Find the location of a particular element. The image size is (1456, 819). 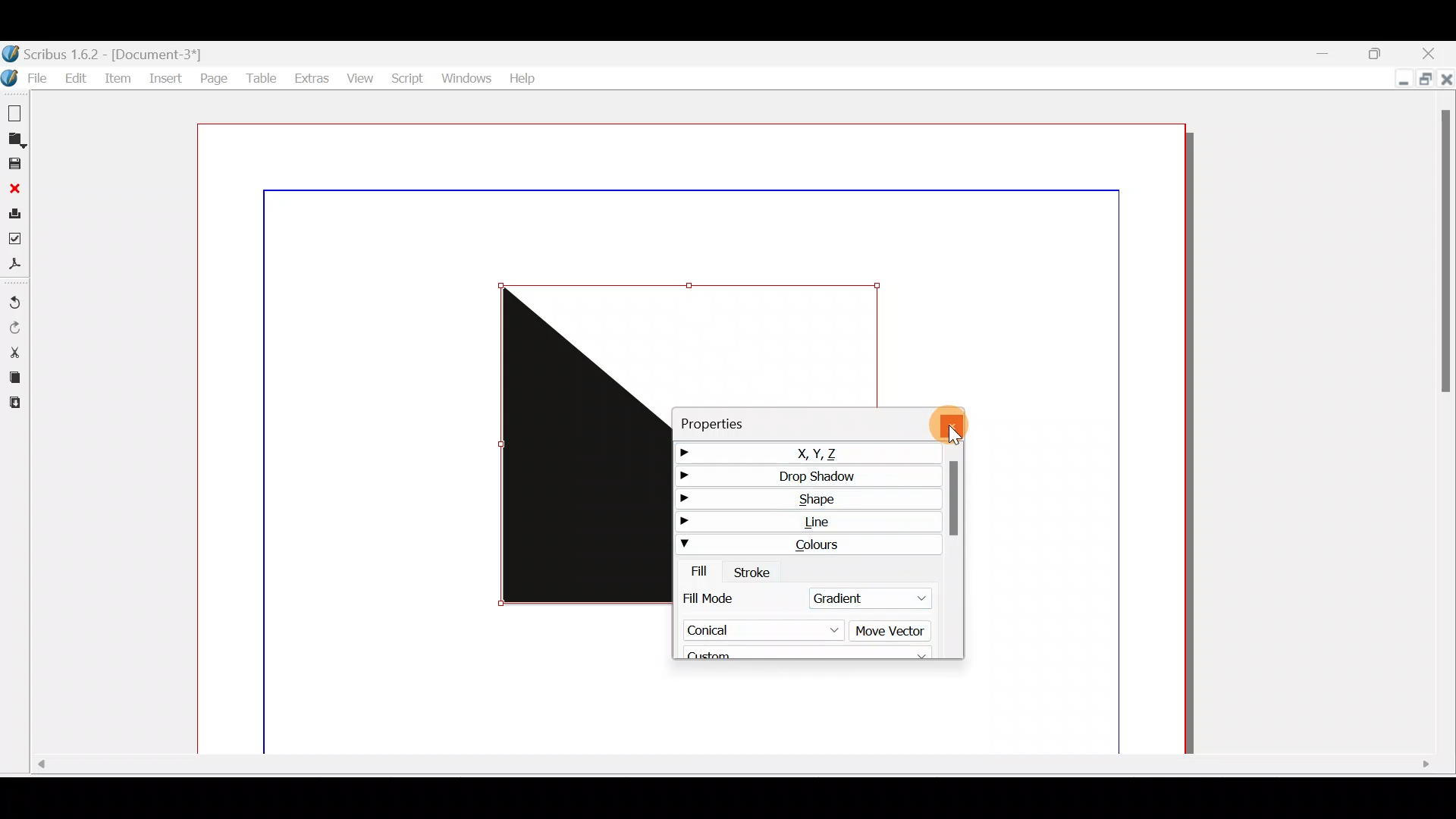

Copy is located at coordinates (14, 375).